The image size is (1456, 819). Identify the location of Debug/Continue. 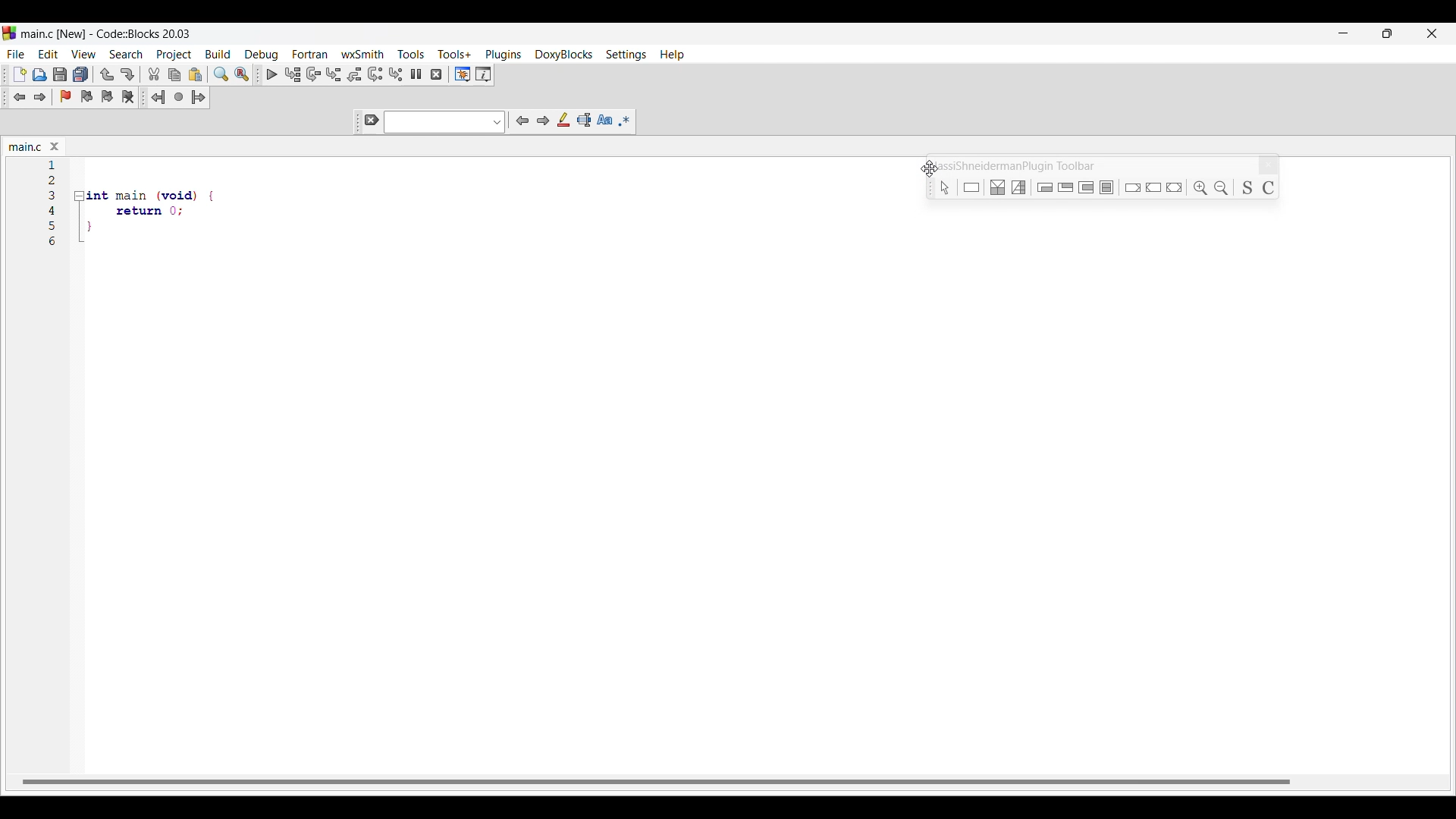
(272, 74).